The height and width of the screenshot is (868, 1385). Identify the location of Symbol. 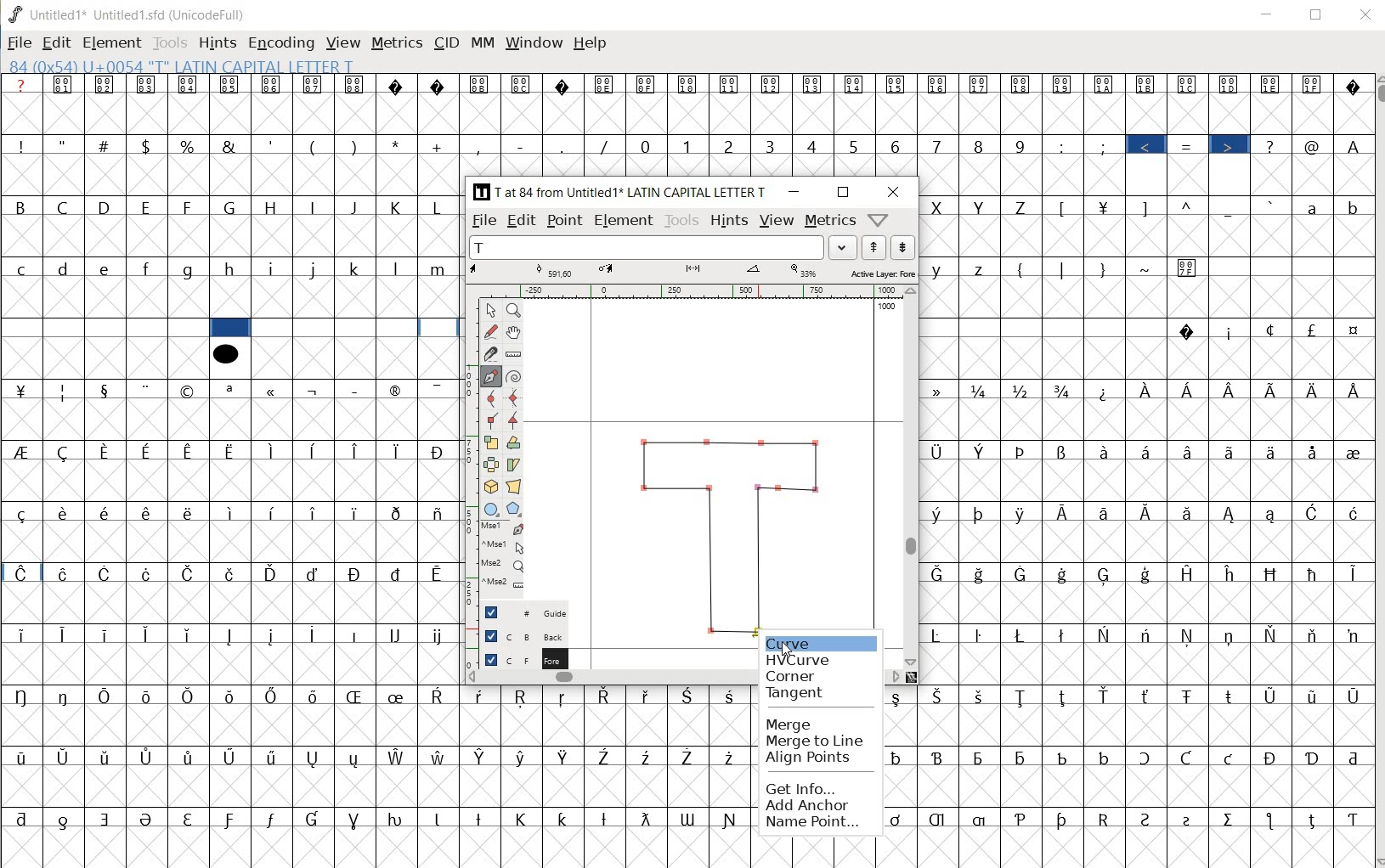
(1106, 696).